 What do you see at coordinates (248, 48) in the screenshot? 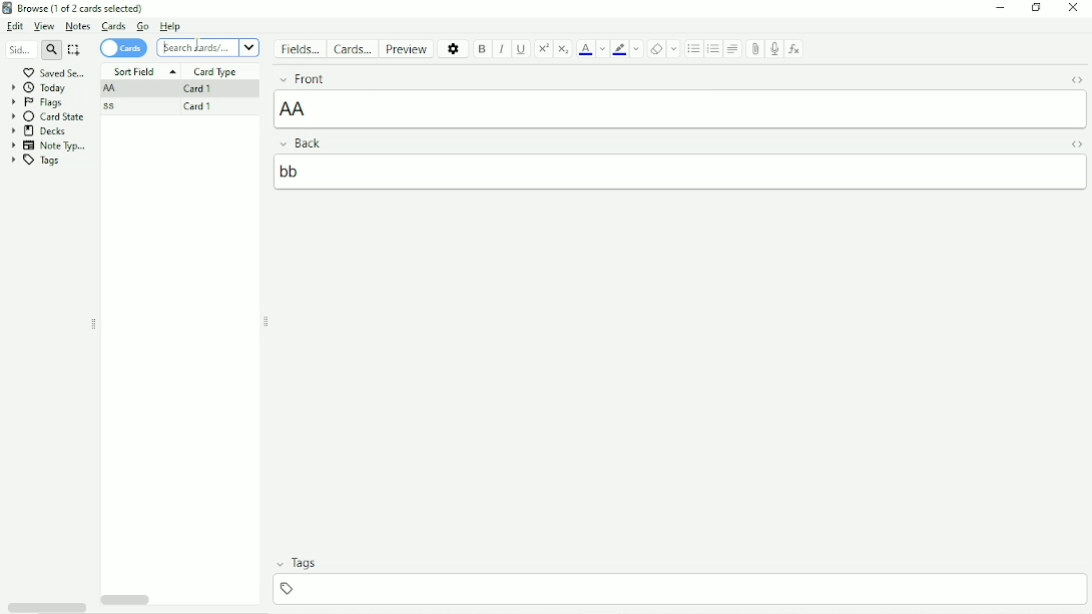
I see `search options` at bounding box center [248, 48].